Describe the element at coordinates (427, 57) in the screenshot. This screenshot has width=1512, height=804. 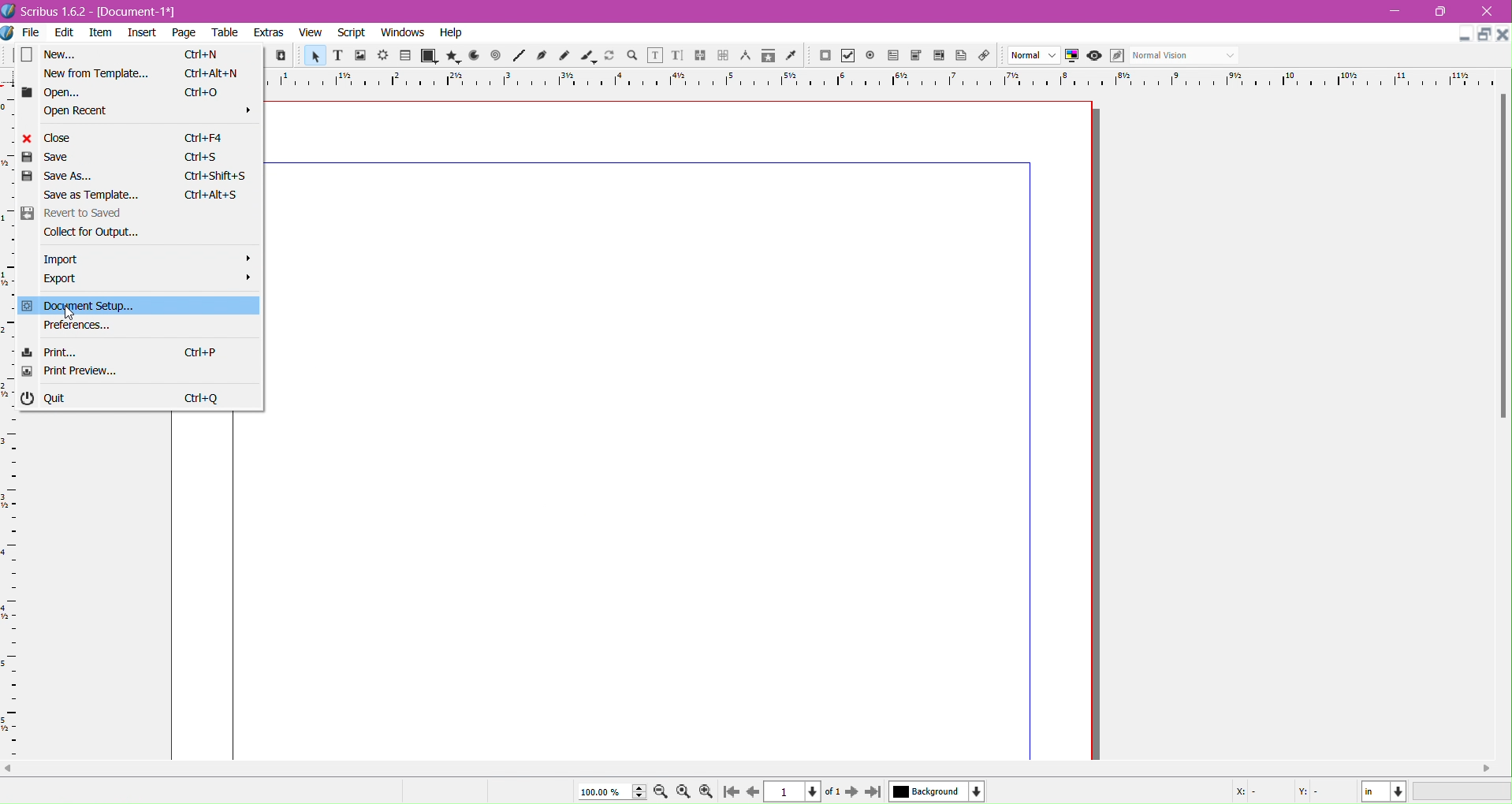
I see `shape` at that location.